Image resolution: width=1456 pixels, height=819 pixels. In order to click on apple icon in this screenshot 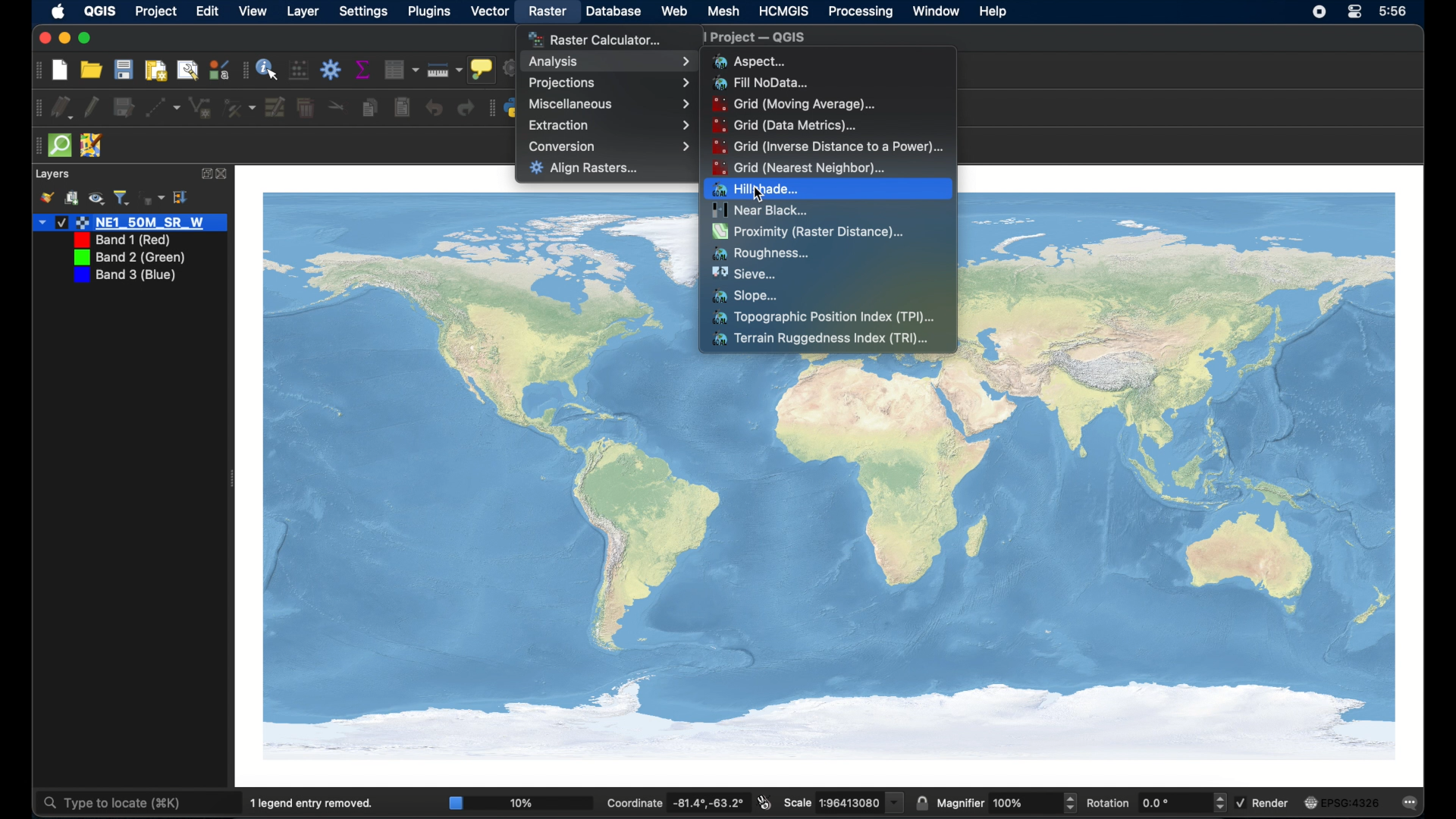, I will do `click(59, 11)`.